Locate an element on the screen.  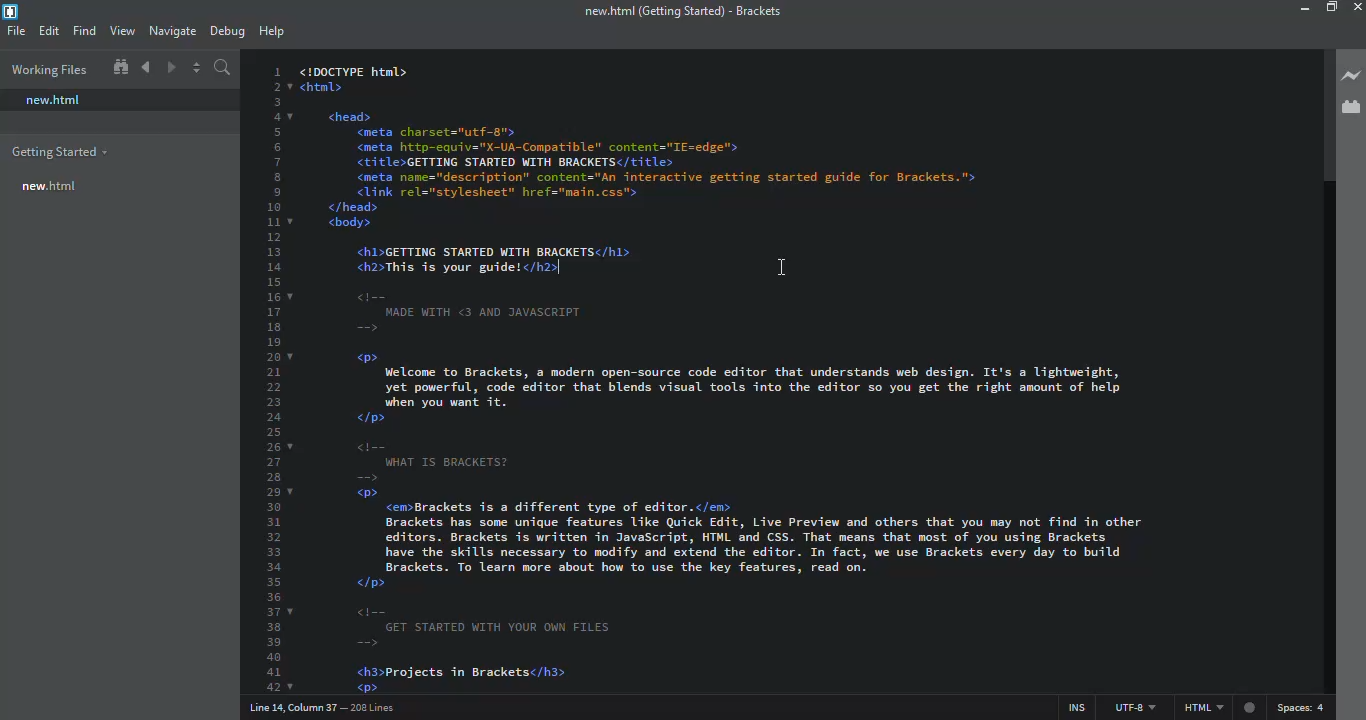
working files is located at coordinates (47, 67).